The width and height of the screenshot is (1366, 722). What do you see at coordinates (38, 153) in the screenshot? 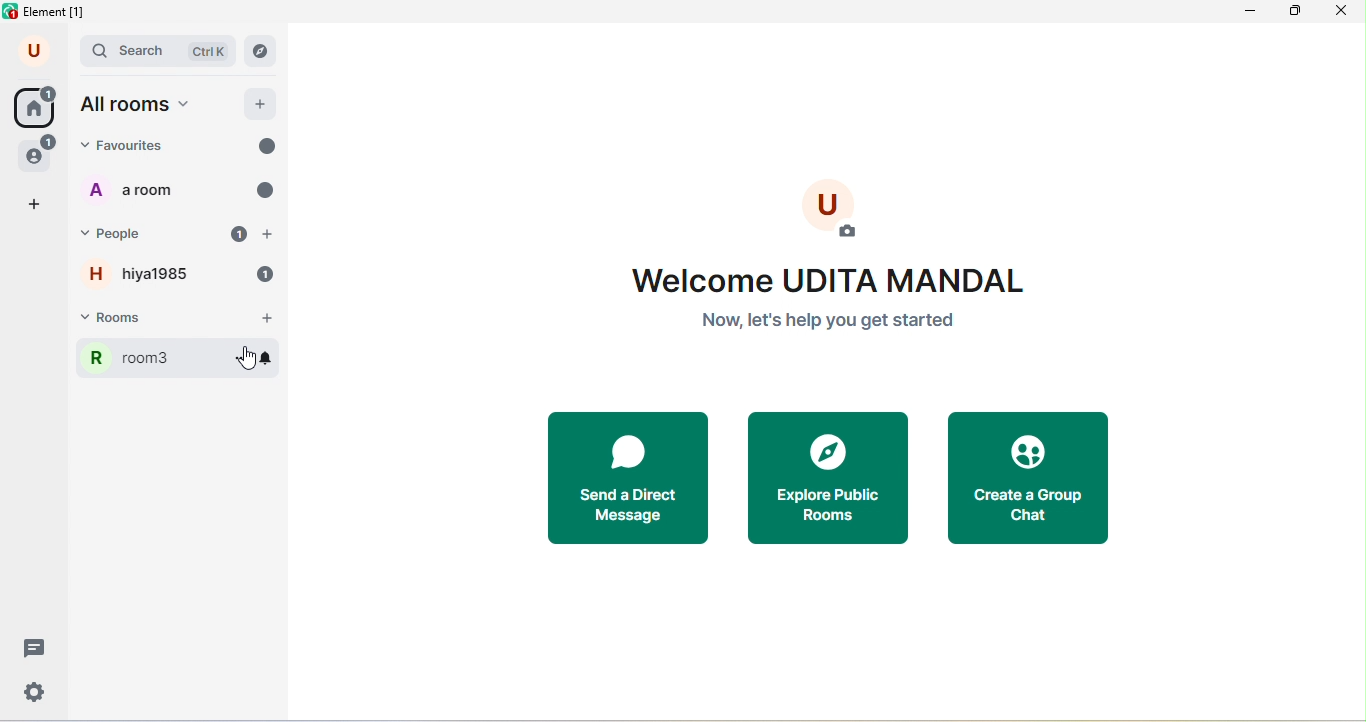
I see `people` at bounding box center [38, 153].